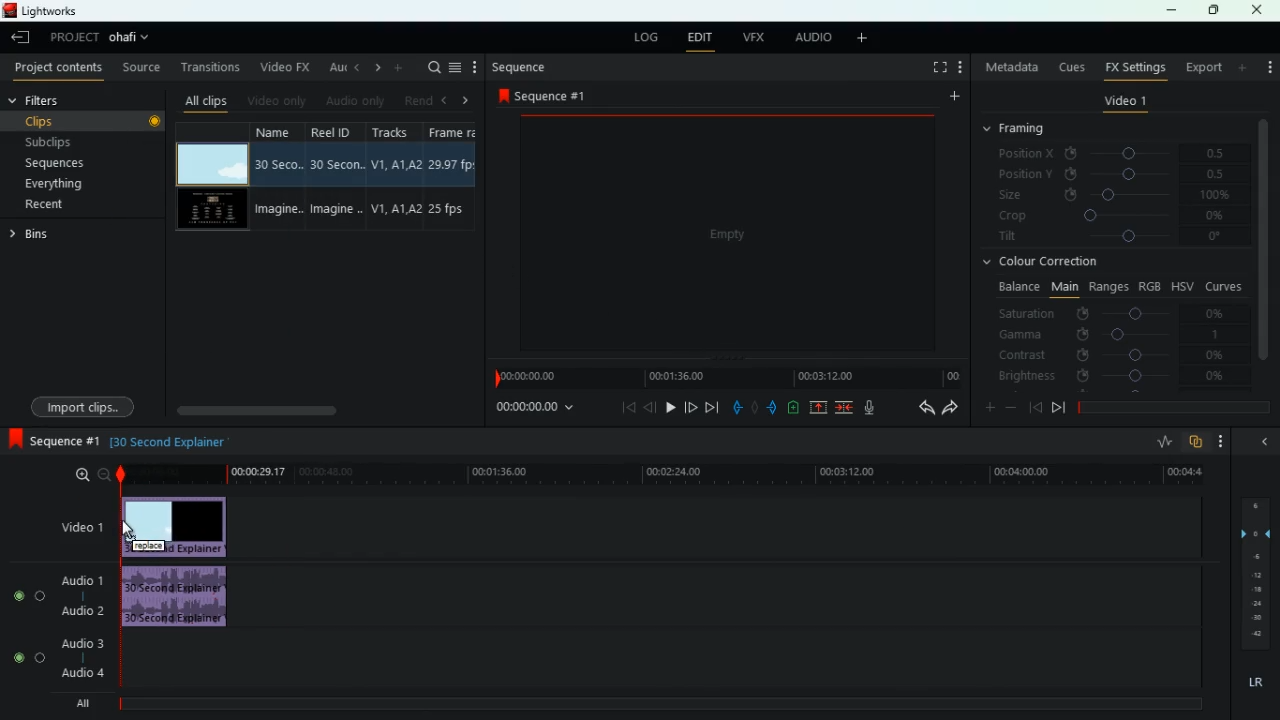  I want to click on audio, so click(180, 598).